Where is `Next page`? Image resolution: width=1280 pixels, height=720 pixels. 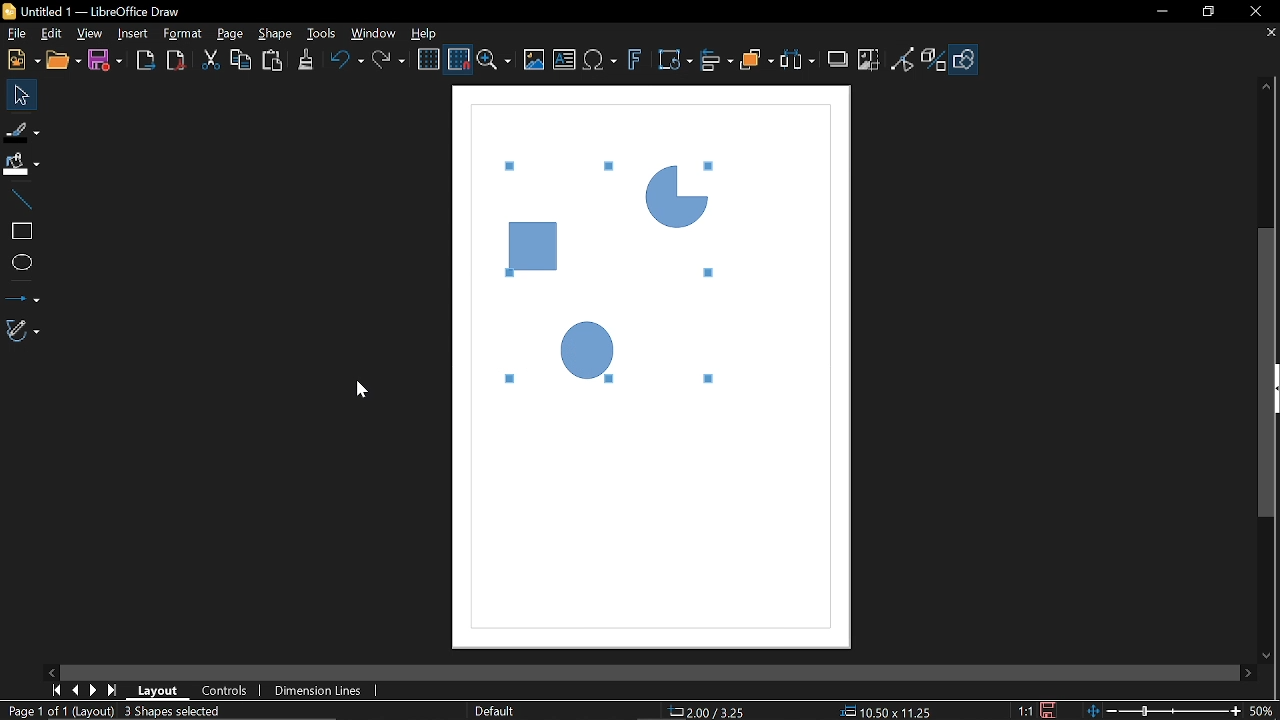
Next page is located at coordinates (94, 690).